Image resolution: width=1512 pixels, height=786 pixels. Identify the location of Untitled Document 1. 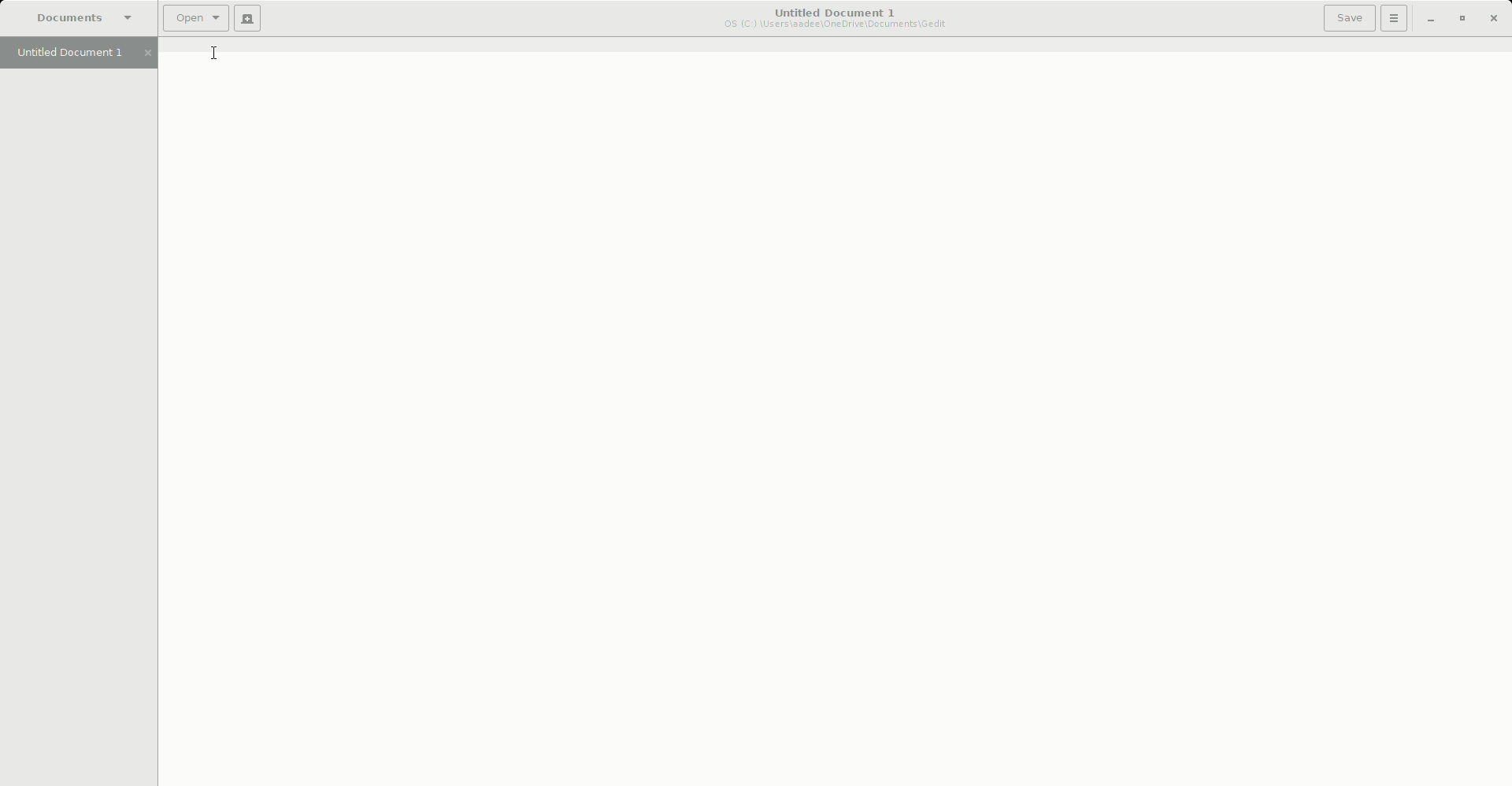
(81, 54).